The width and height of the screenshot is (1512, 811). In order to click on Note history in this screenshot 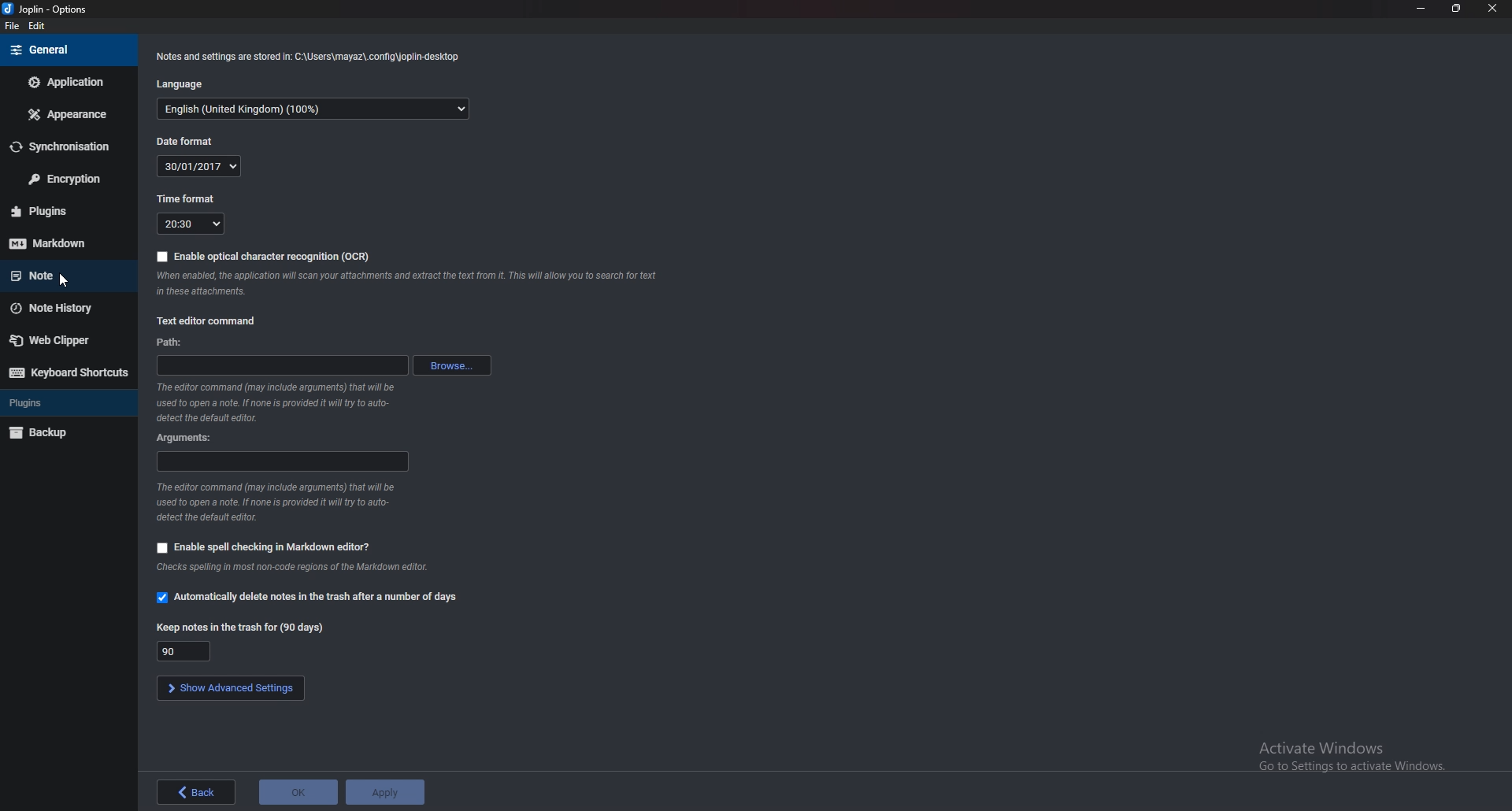, I will do `click(66, 309)`.